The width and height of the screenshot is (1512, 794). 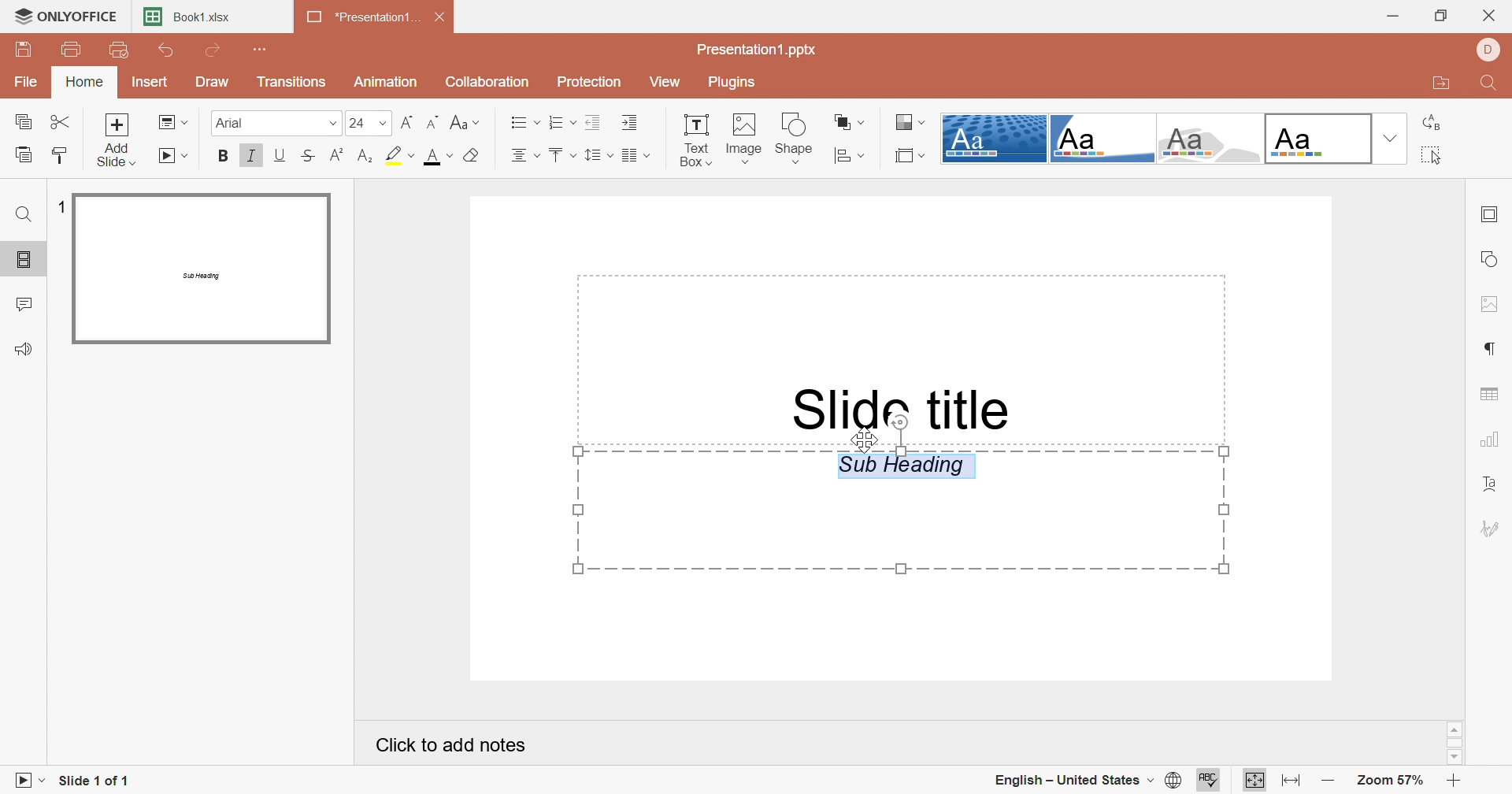 I want to click on Slide Title, so click(x=892, y=406).